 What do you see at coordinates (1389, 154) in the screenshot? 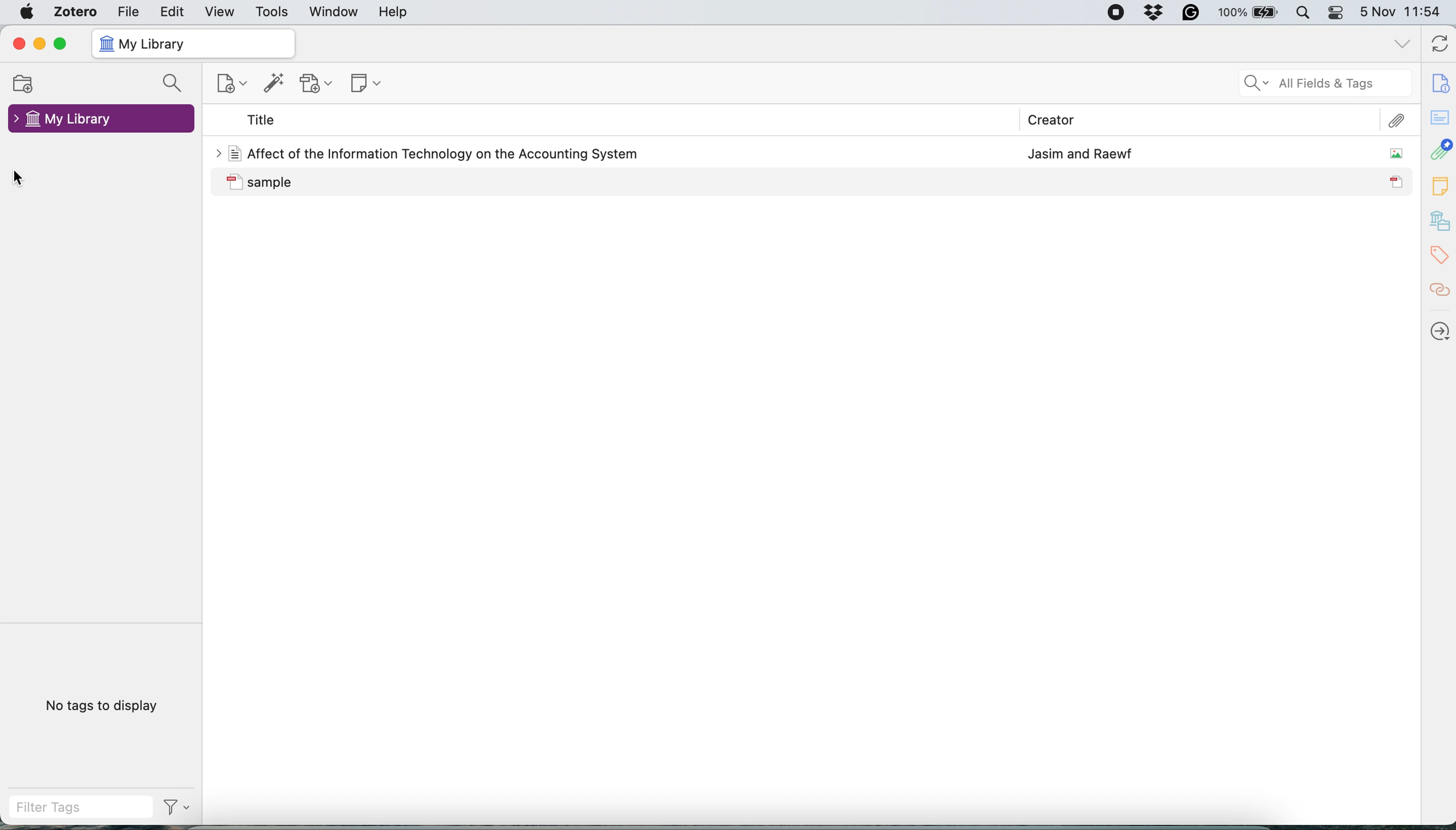
I see `Image icon` at bounding box center [1389, 154].